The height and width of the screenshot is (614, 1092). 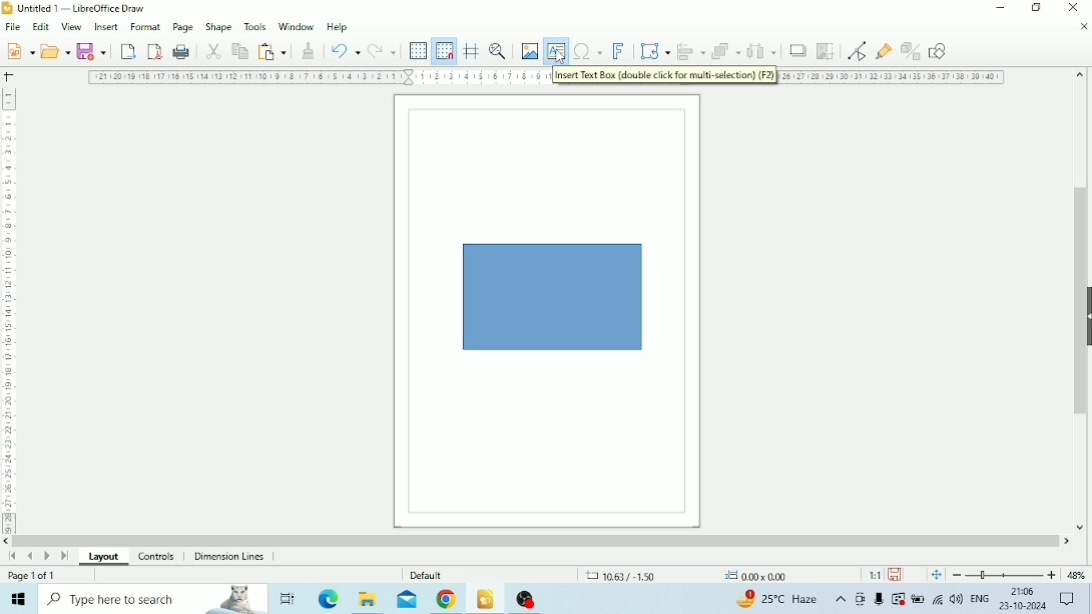 What do you see at coordinates (48, 556) in the screenshot?
I see `Scroll to next page` at bounding box center [48, 556].